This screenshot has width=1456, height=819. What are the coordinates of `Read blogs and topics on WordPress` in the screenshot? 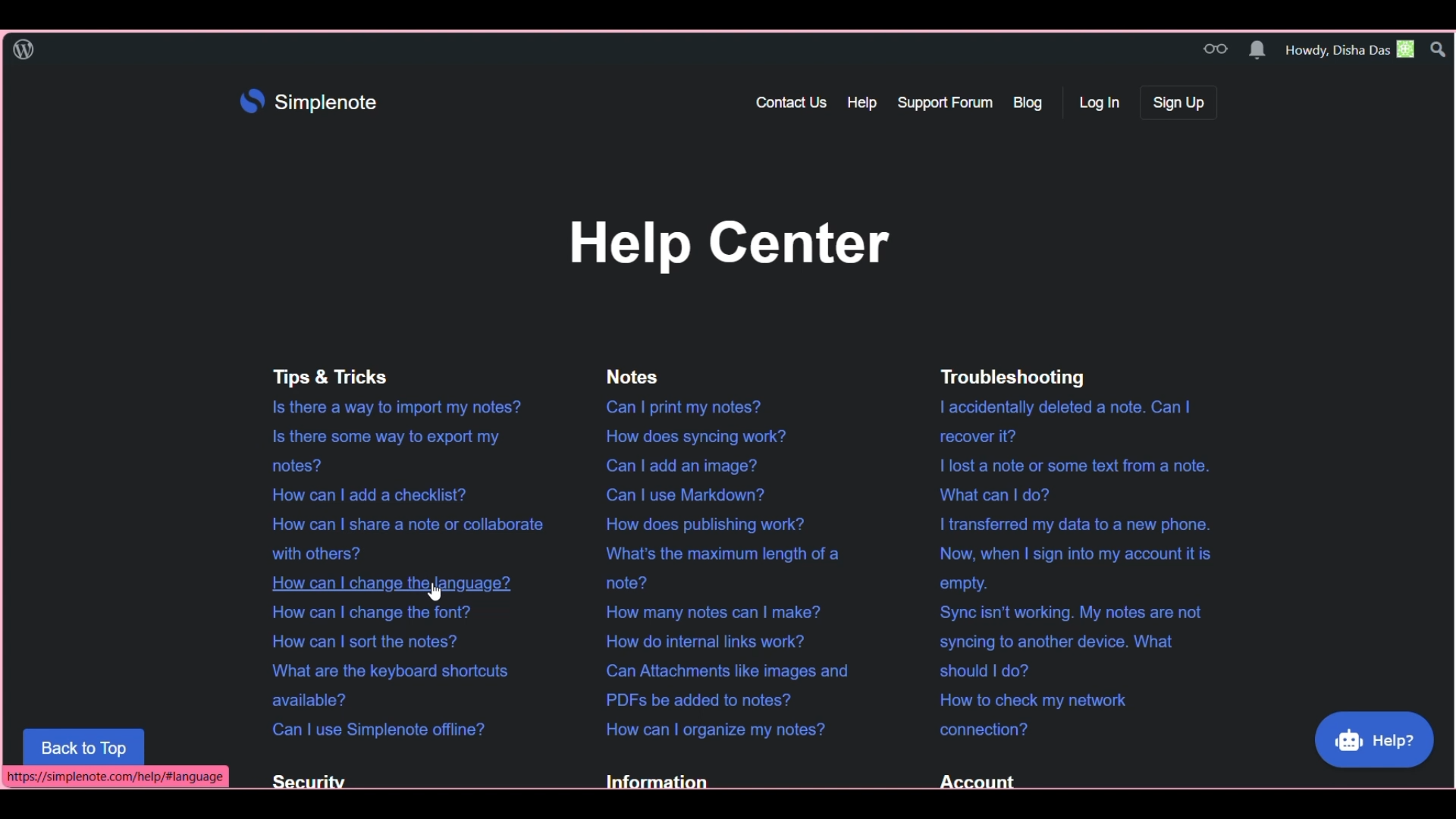 It's located at (1215, 49).